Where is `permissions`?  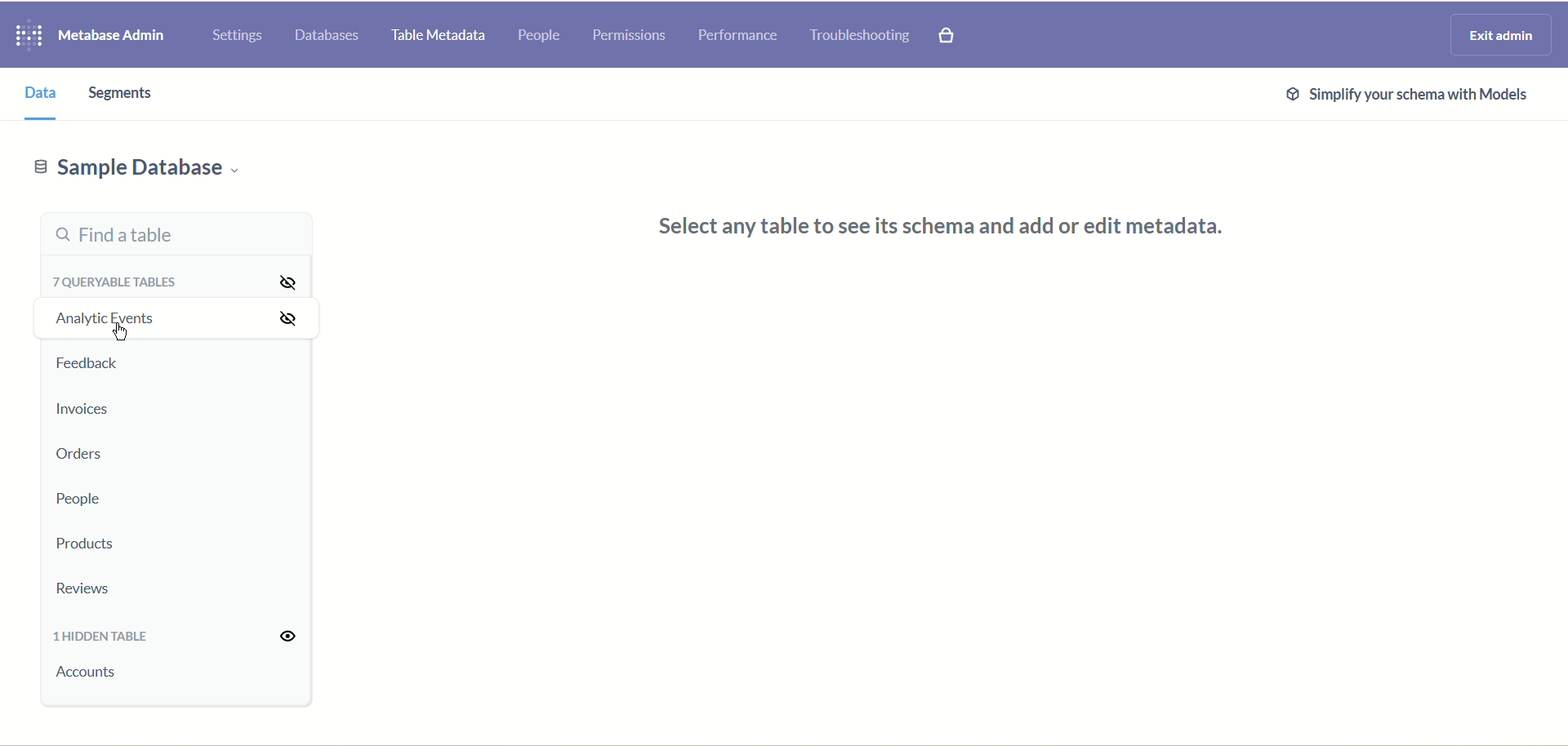
permissions is located at coordinates (630, 36).